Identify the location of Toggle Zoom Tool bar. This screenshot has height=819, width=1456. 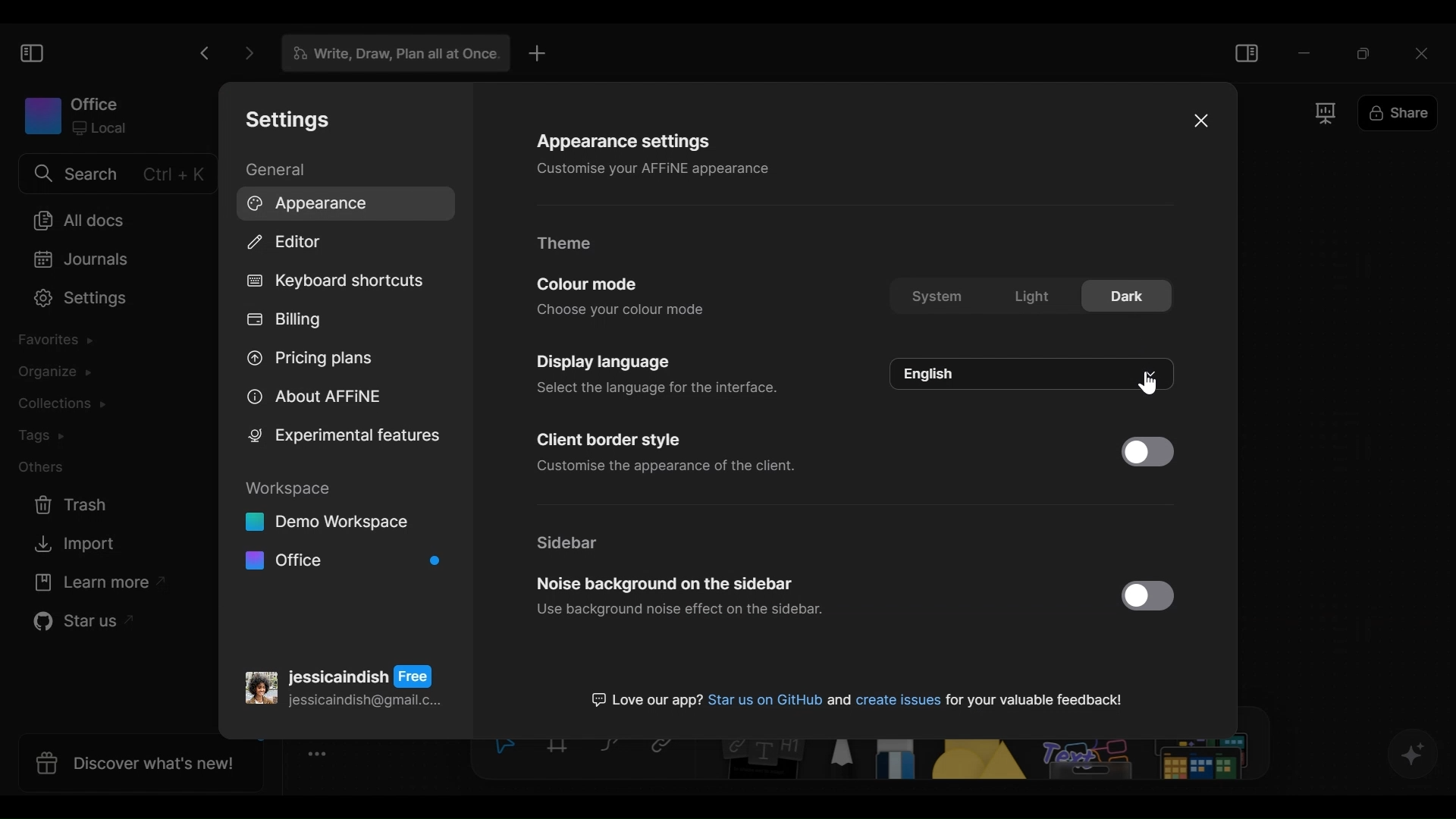
(322, 755).